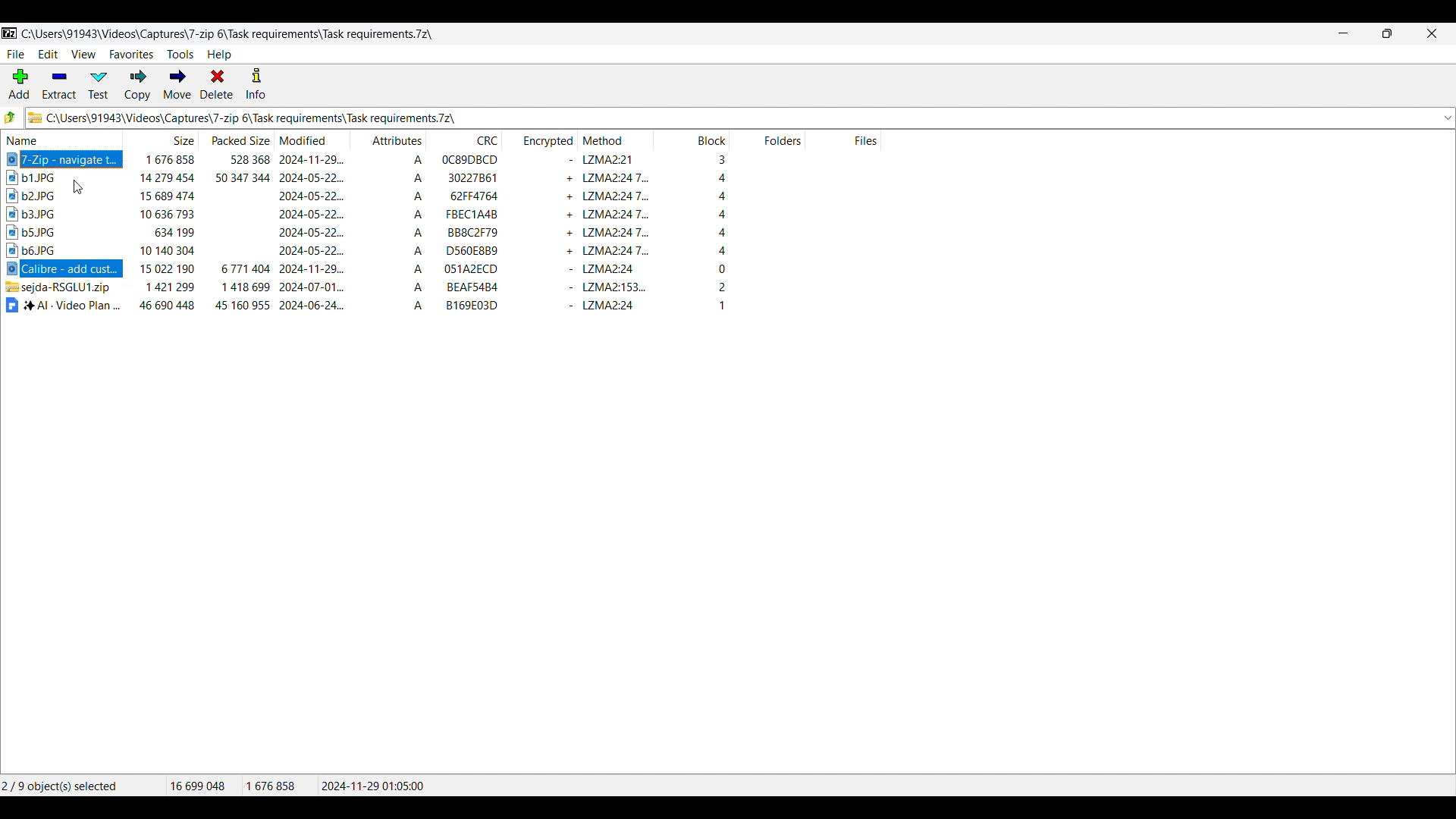 The image size is (1456, 819). Describe the element at coordinates (63, 305) in the screenshot. I see `document file` at that location.